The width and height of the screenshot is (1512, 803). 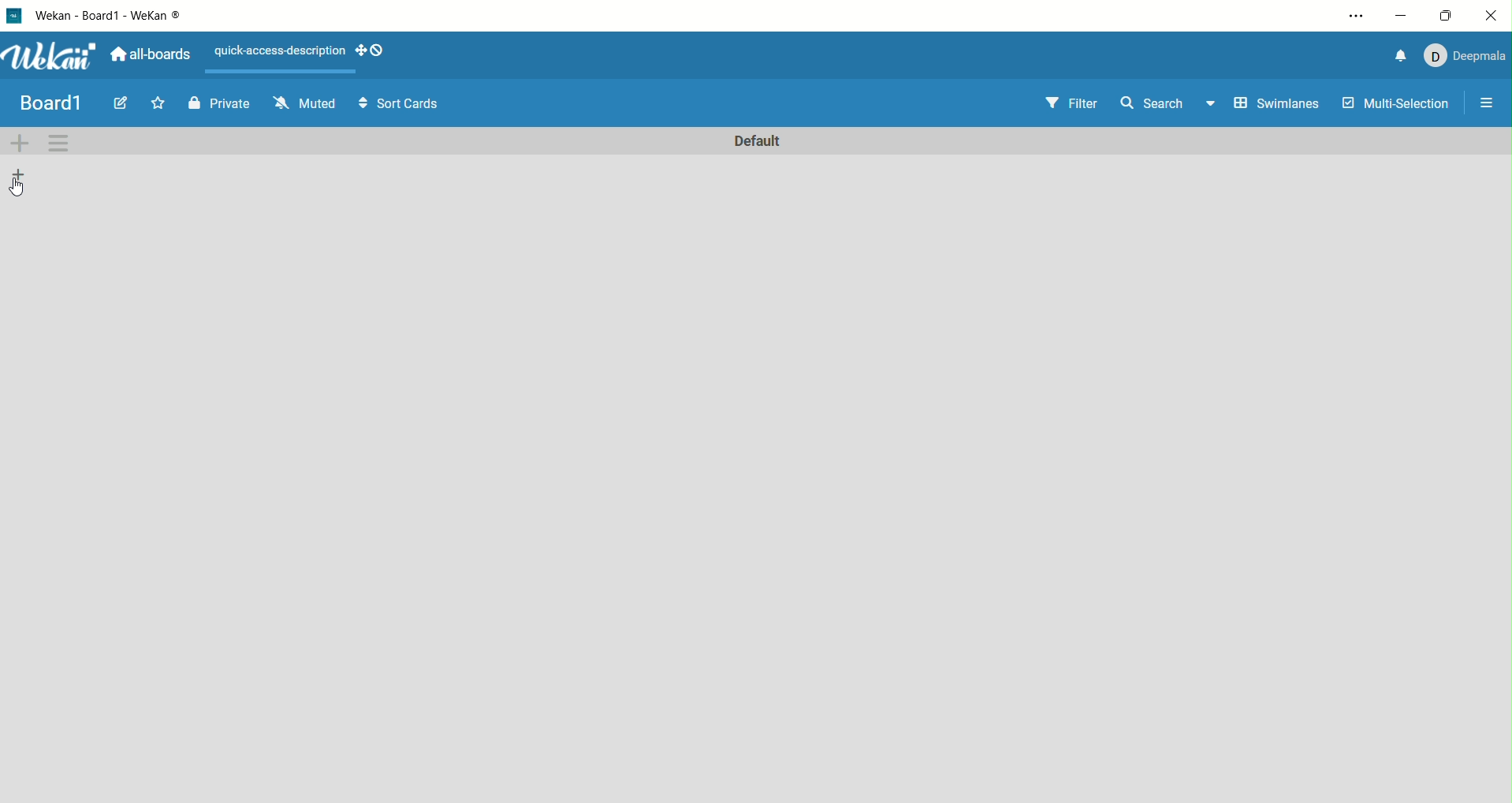 What do you see at coordinates (1492, 14) in the screenshot?
I see `close` at bounding box center [1492, 14].